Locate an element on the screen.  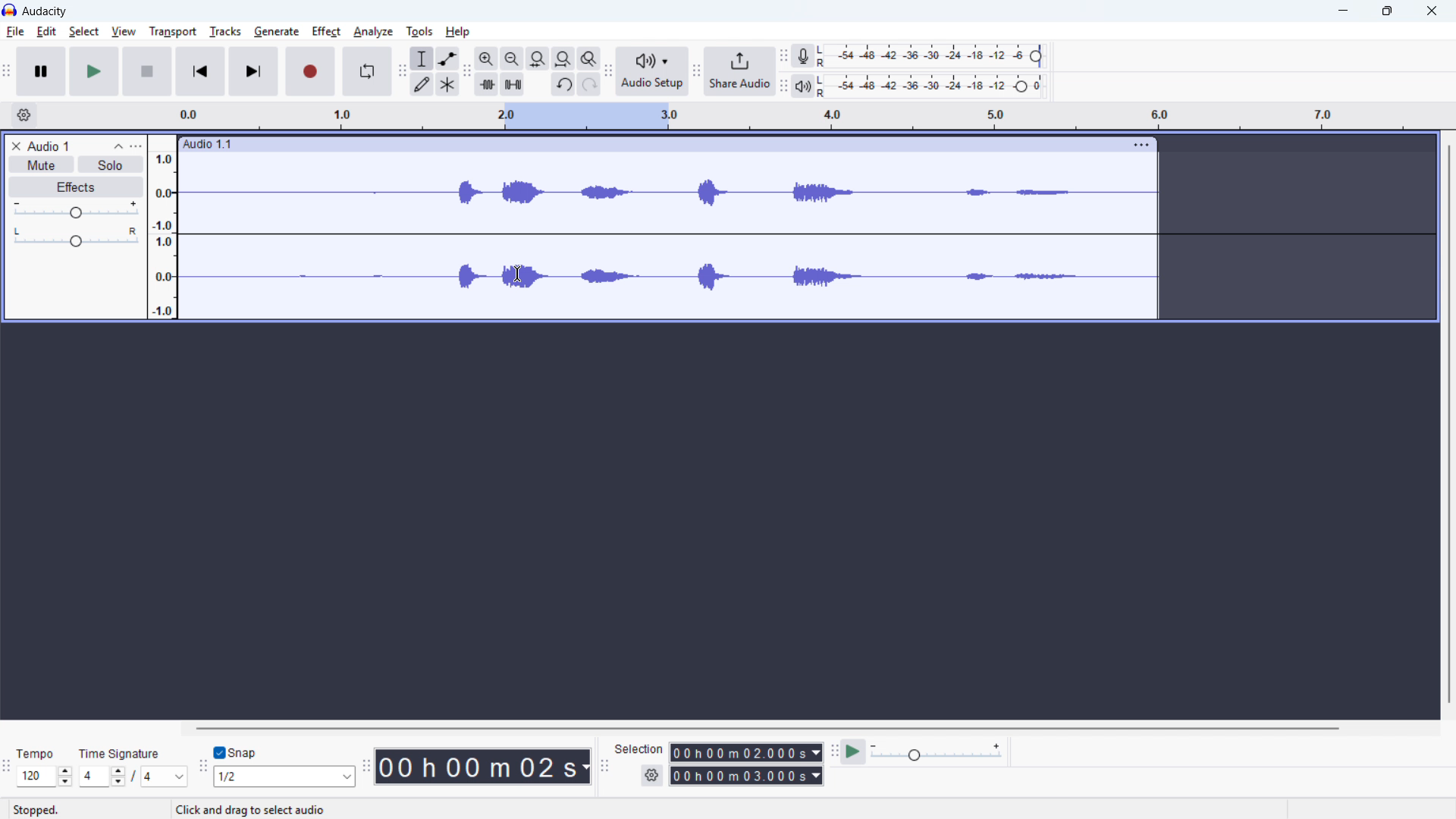
Playback level is located at coordinates (935, 85).